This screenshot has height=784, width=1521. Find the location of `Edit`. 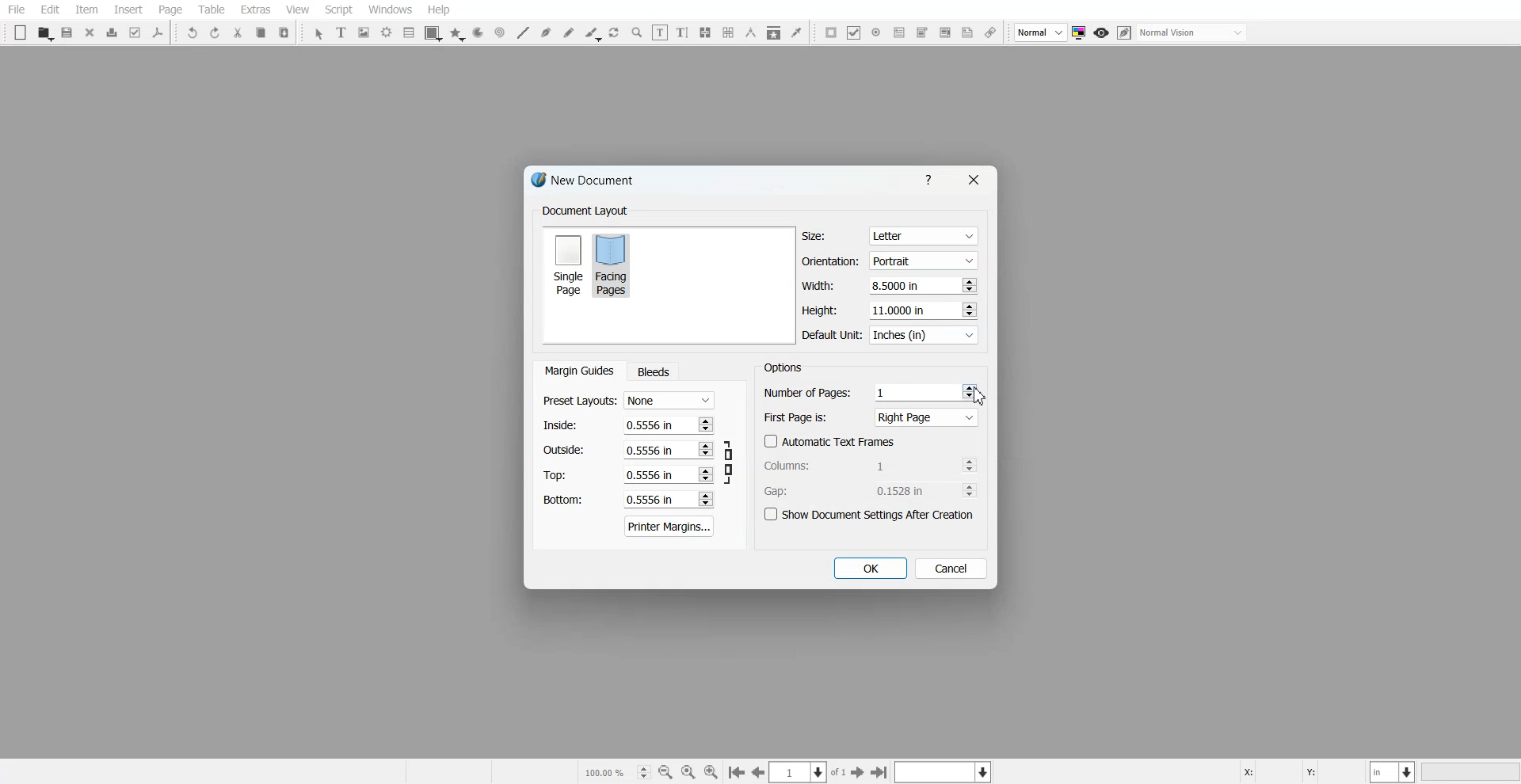

Edit is located at coordinates (49, 10).